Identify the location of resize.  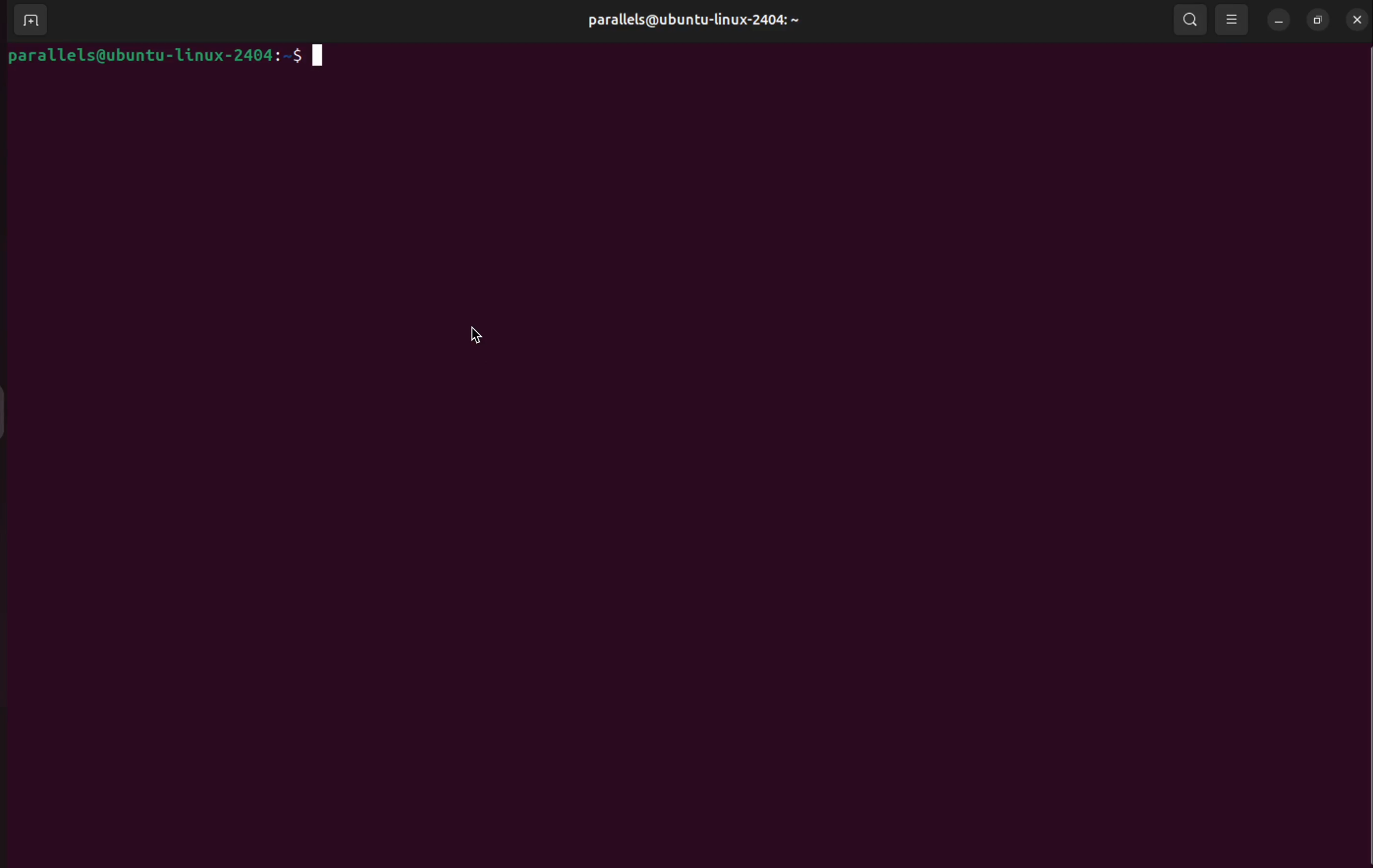
(1318, 21).